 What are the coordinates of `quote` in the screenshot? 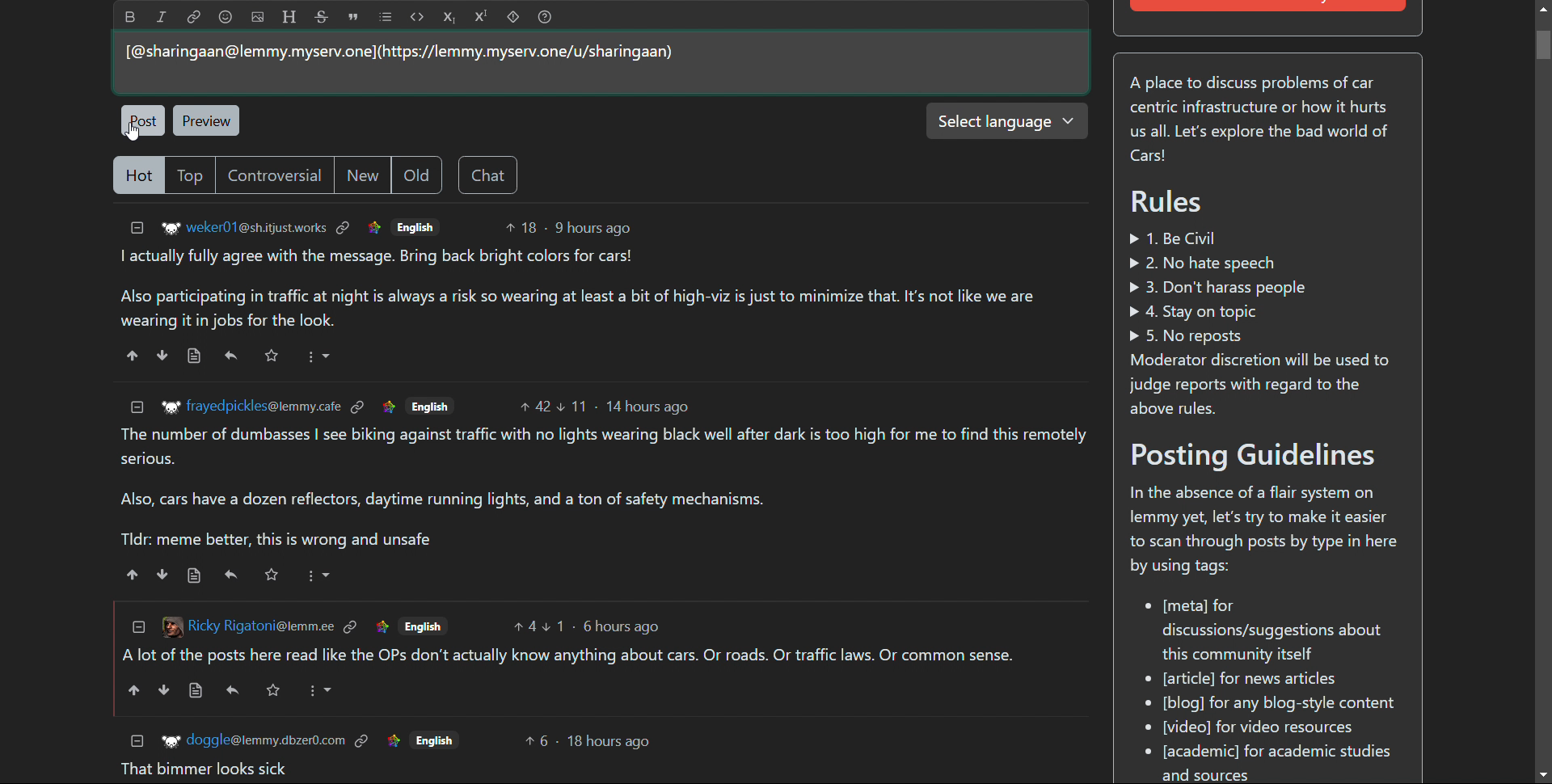 It's located at (354, 17).